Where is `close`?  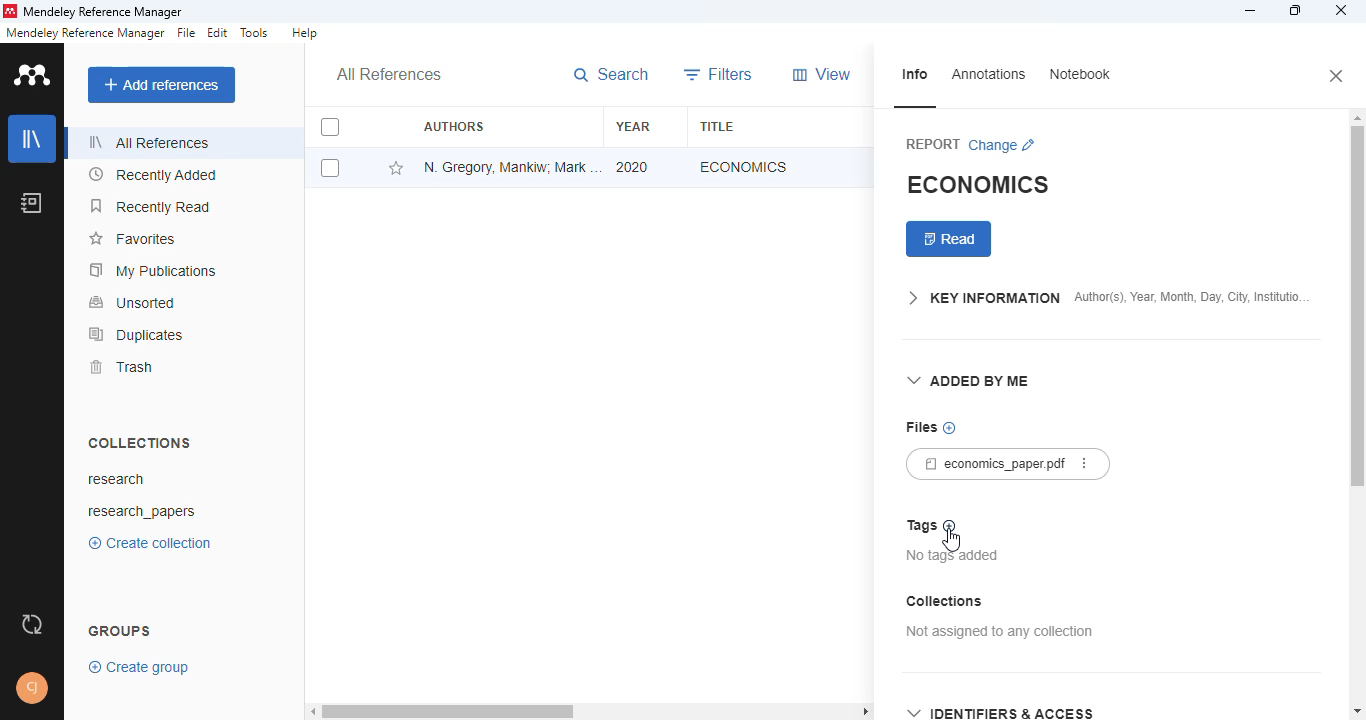
close is located at coordinates (1341, 10).